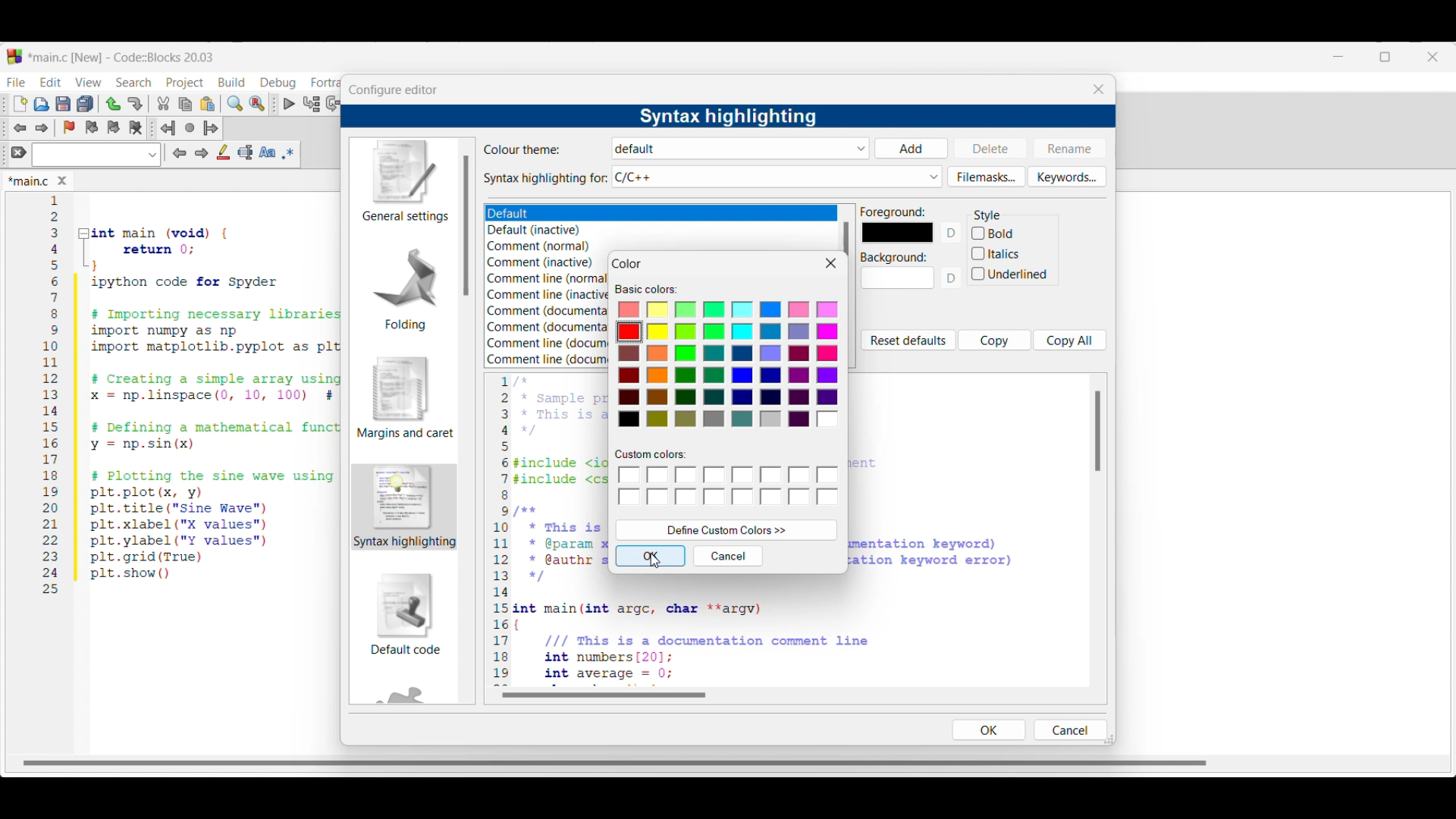 The image size is (1456, 819). I want to click on Indicates basic color options, so click(646, 290).